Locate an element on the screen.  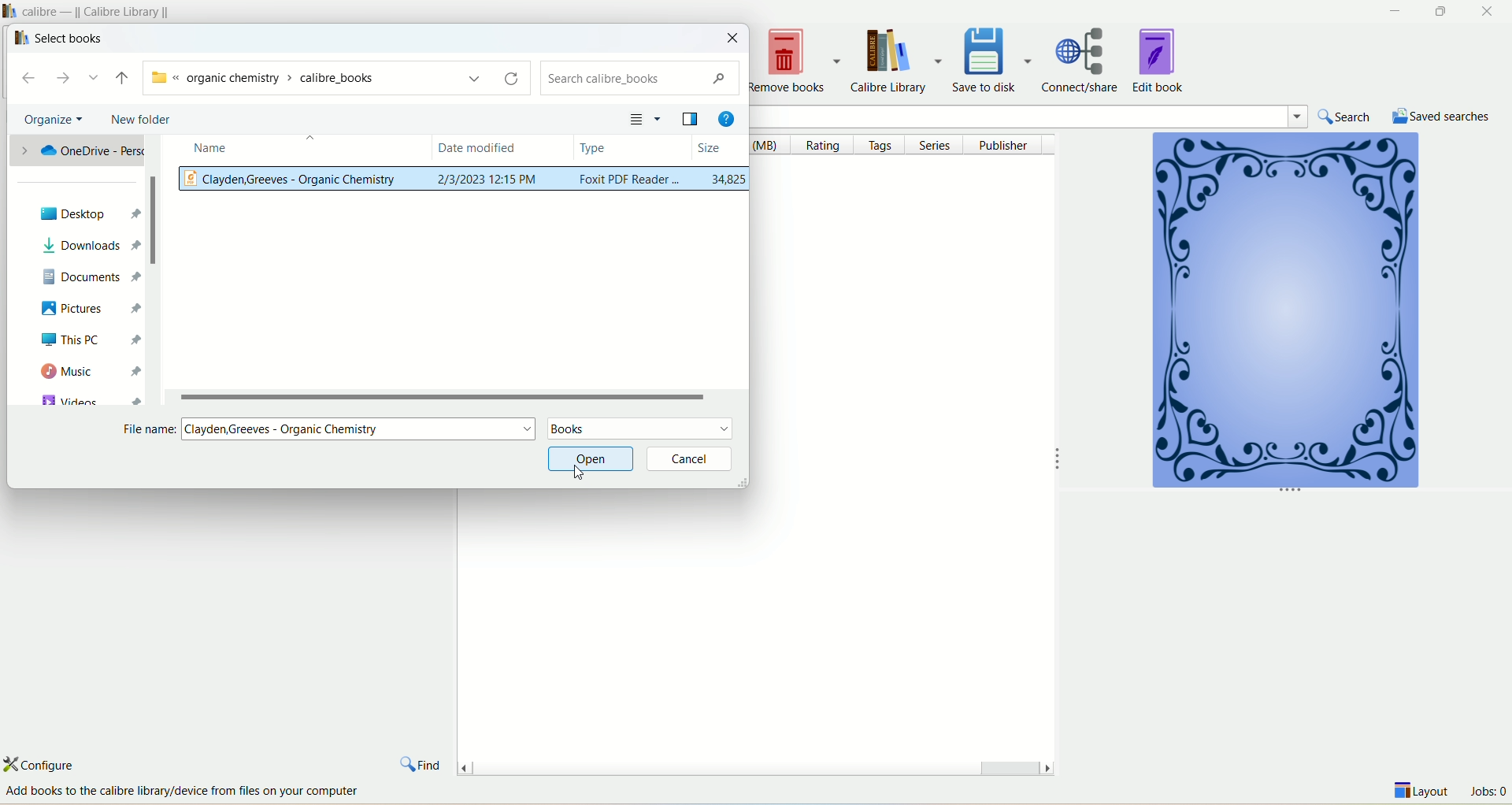
jobs is located at coordinates (1488, 793).